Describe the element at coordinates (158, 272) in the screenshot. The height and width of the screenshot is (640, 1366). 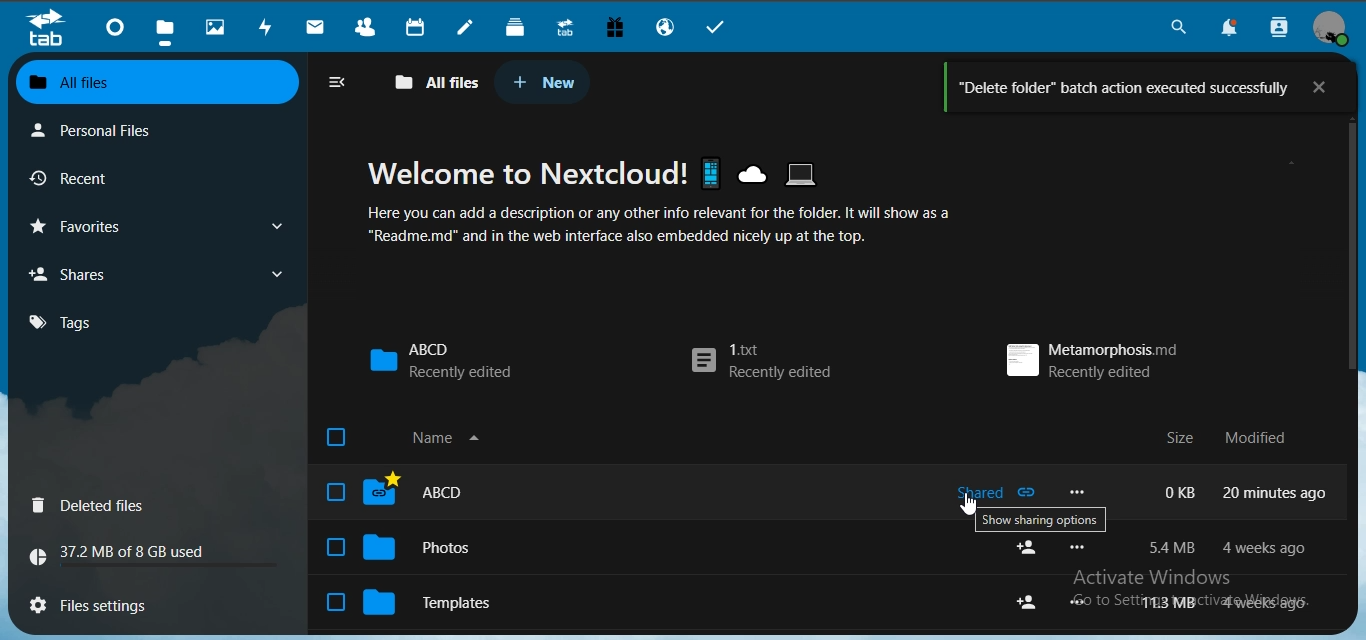
I see `shares` at that location.